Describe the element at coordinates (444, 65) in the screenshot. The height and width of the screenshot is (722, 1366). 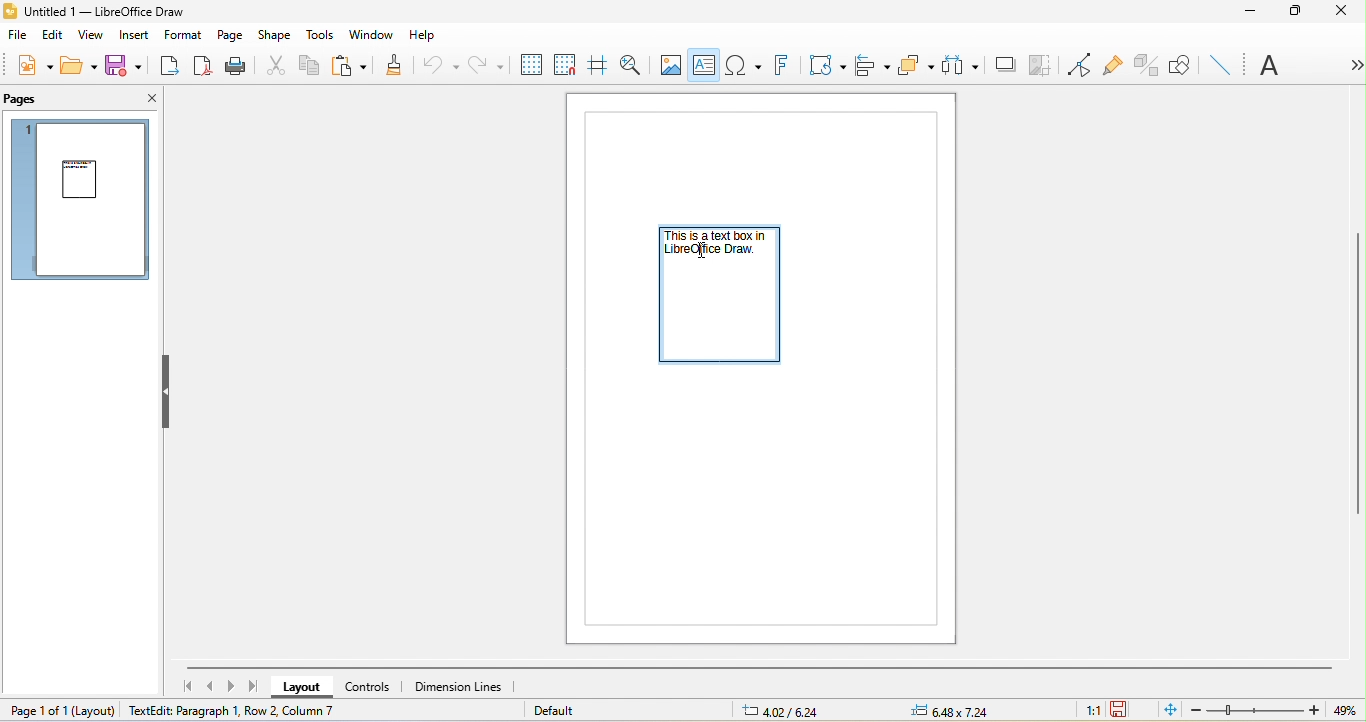
I see `undo` at that location.